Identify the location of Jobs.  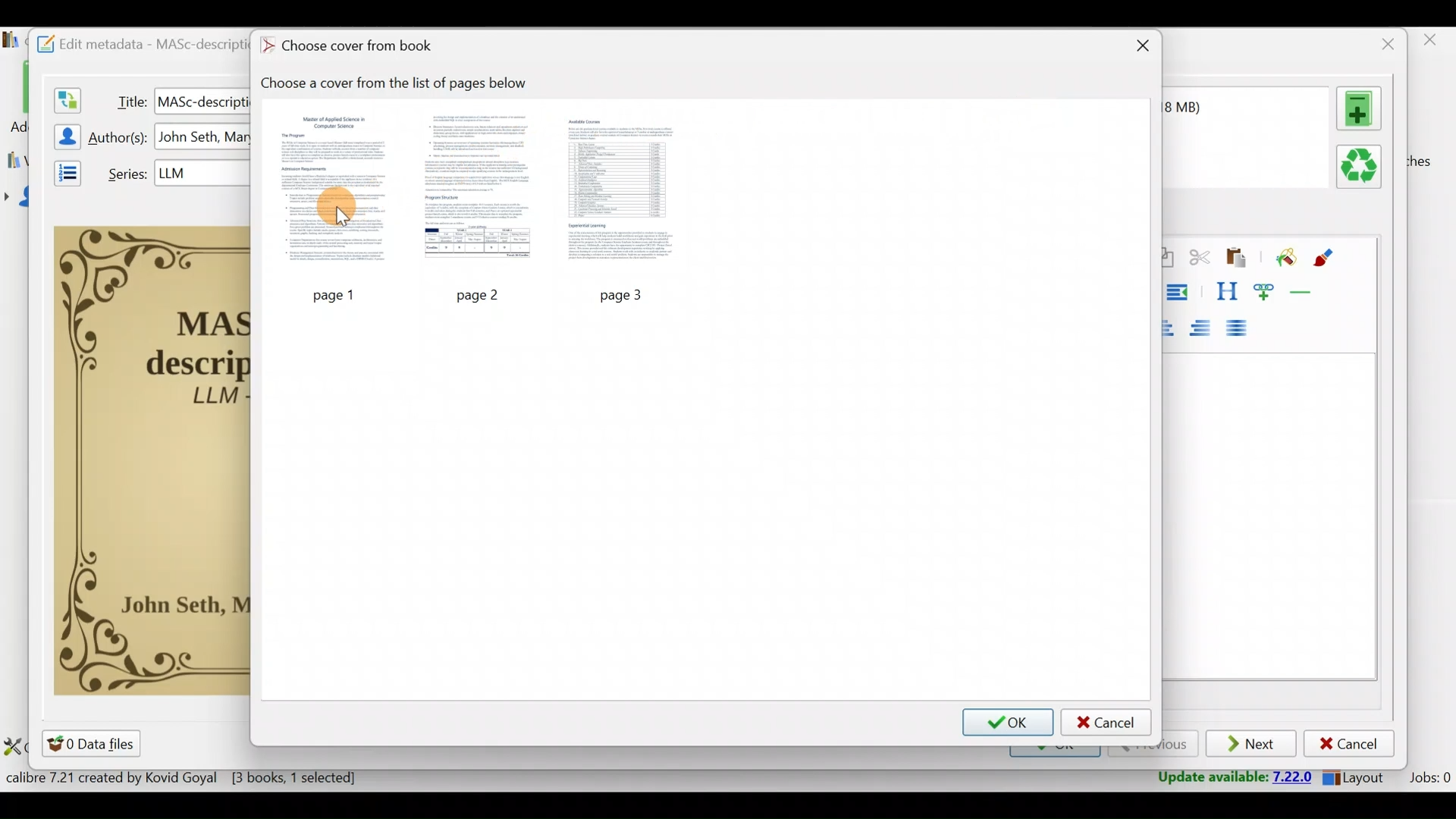
(1428, 780).